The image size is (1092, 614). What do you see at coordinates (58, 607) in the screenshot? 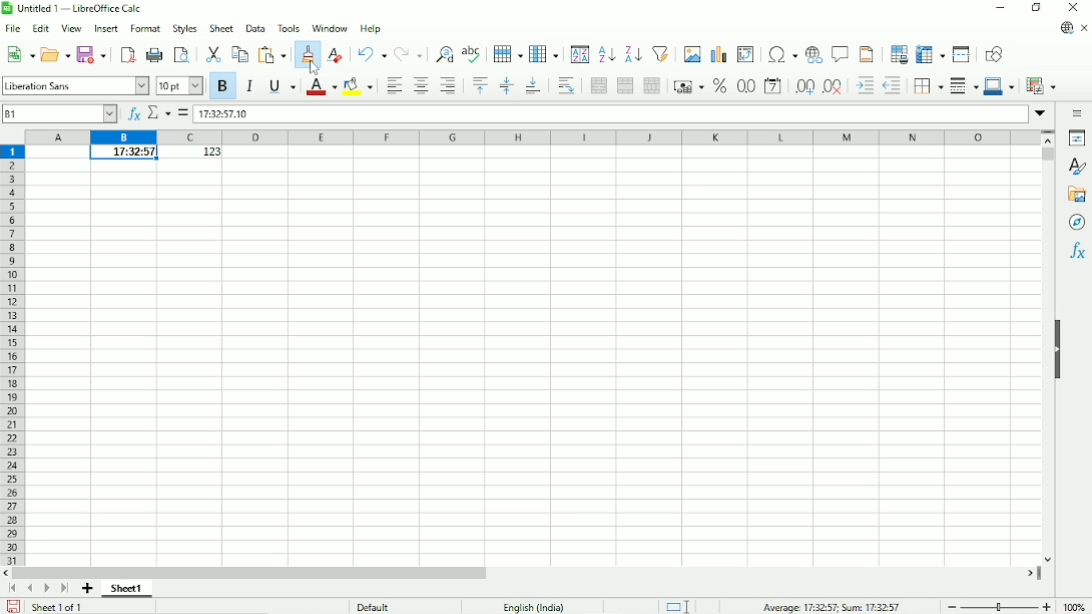
I see `Sheet 1 of 1` at bounding box center [58, 607].